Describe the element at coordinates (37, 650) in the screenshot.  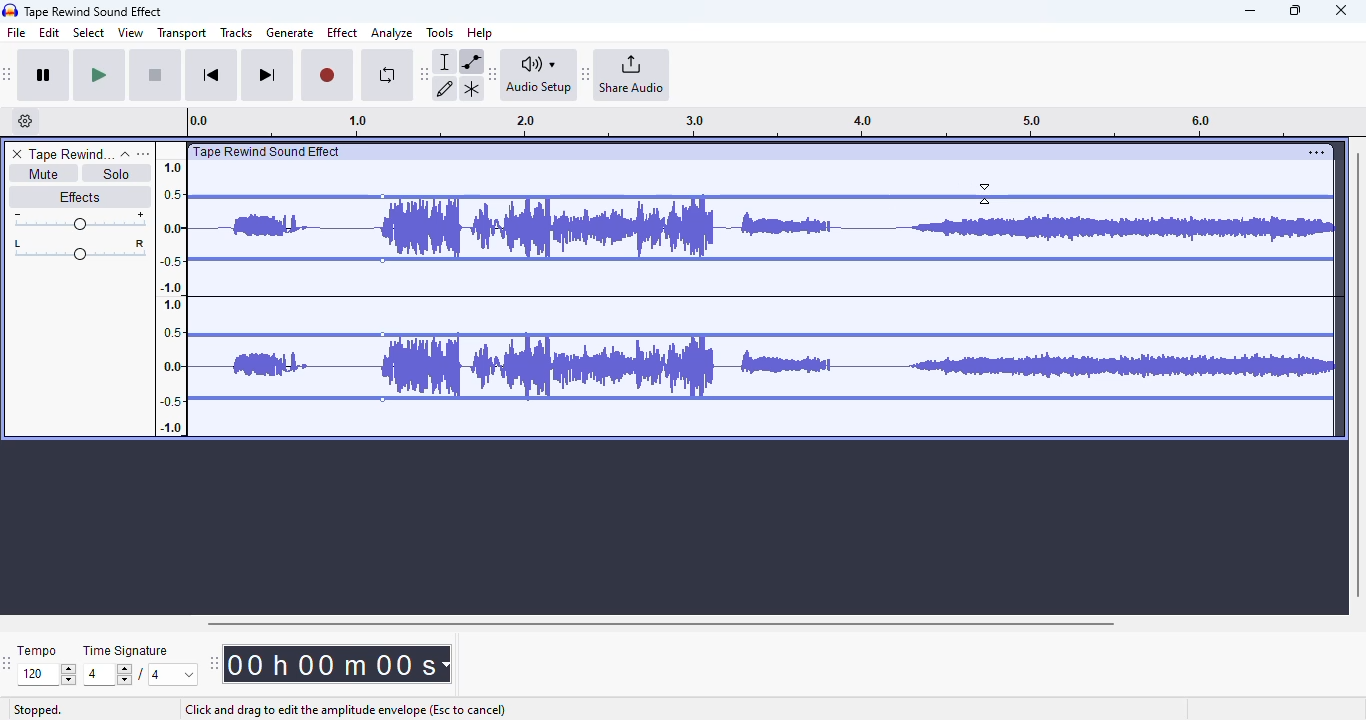
I see `tempo` at that location.